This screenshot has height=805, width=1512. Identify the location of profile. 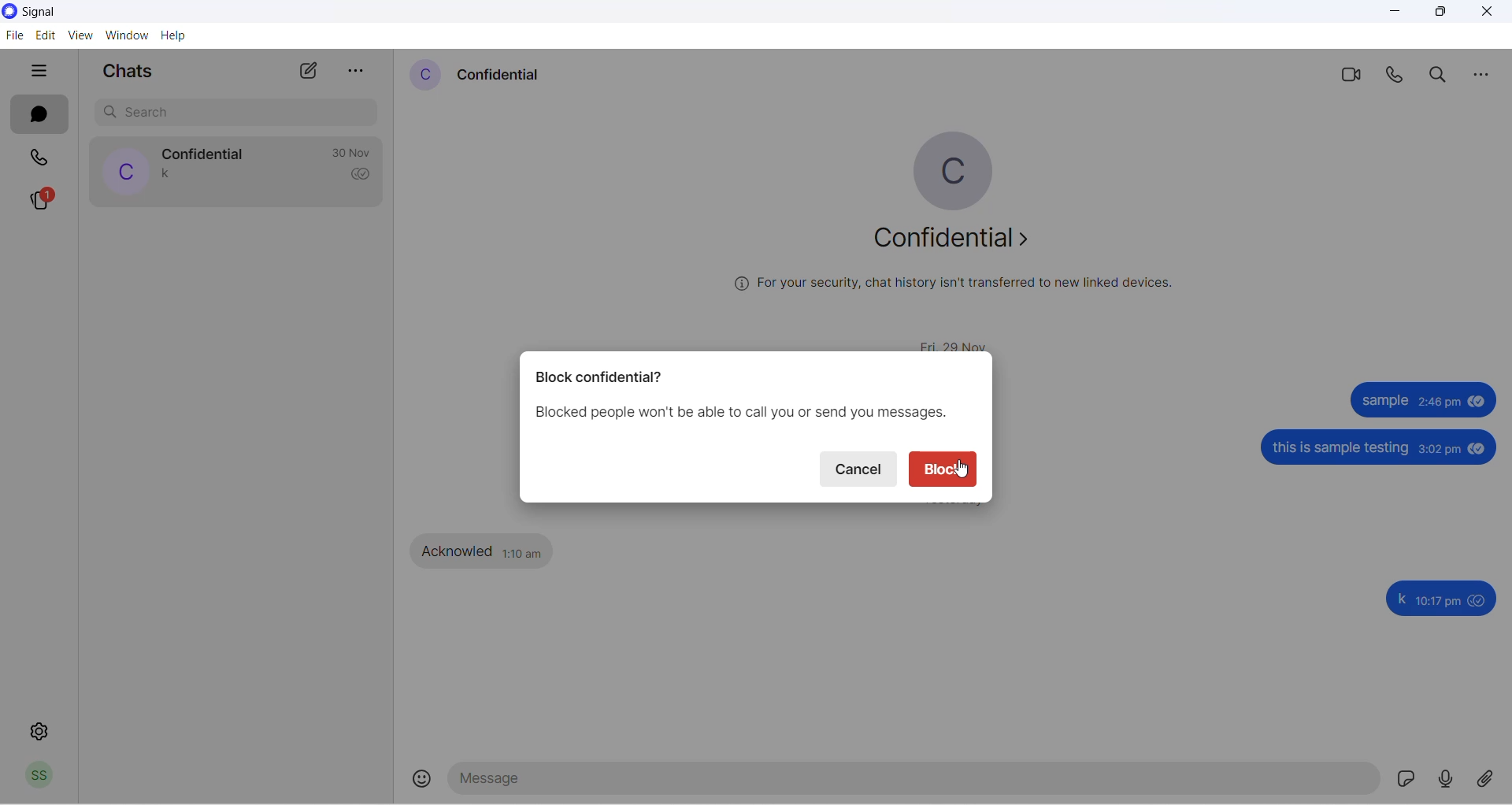
(40, 777).